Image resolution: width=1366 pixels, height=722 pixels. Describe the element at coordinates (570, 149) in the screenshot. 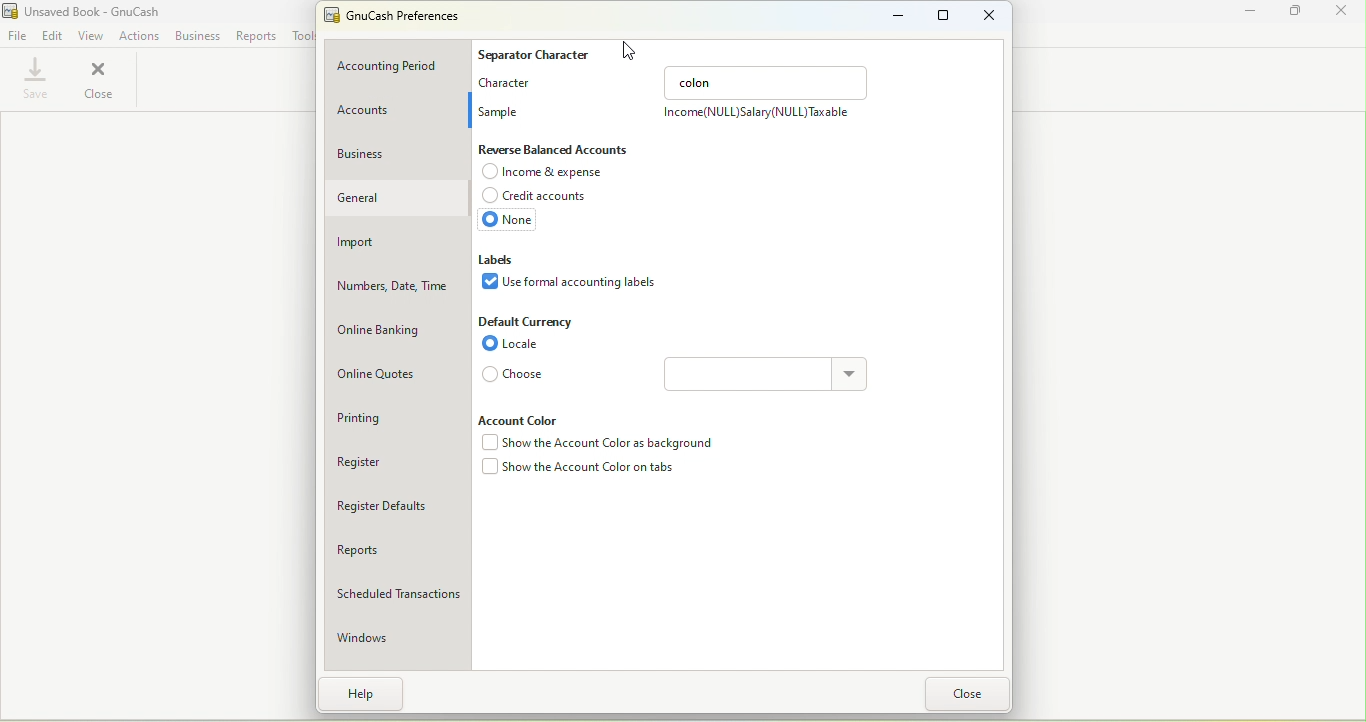

I see `Reverse Balanced accounts` at that location.